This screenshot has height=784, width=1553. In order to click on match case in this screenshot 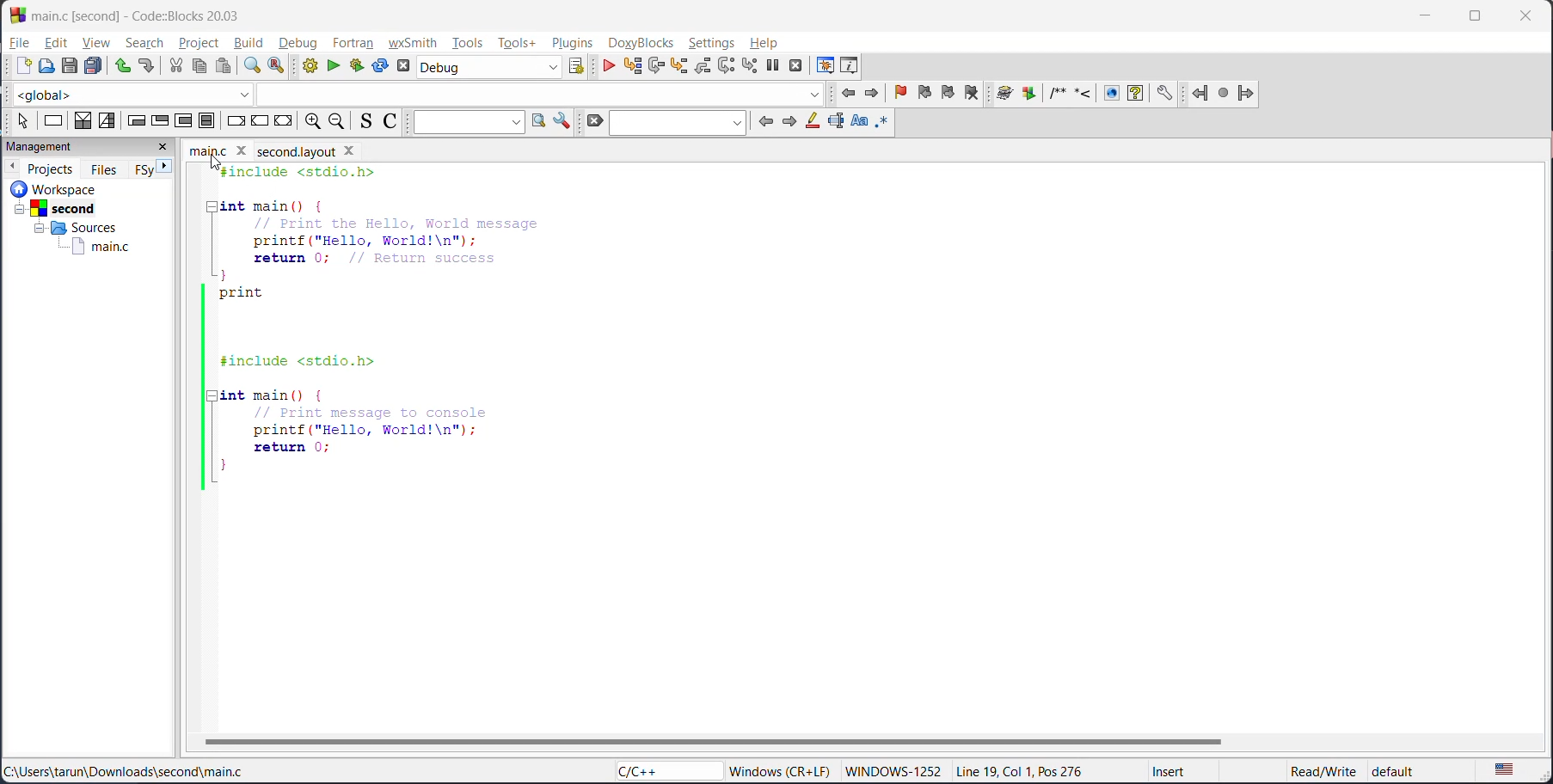, I will do `click(860, 122)`.